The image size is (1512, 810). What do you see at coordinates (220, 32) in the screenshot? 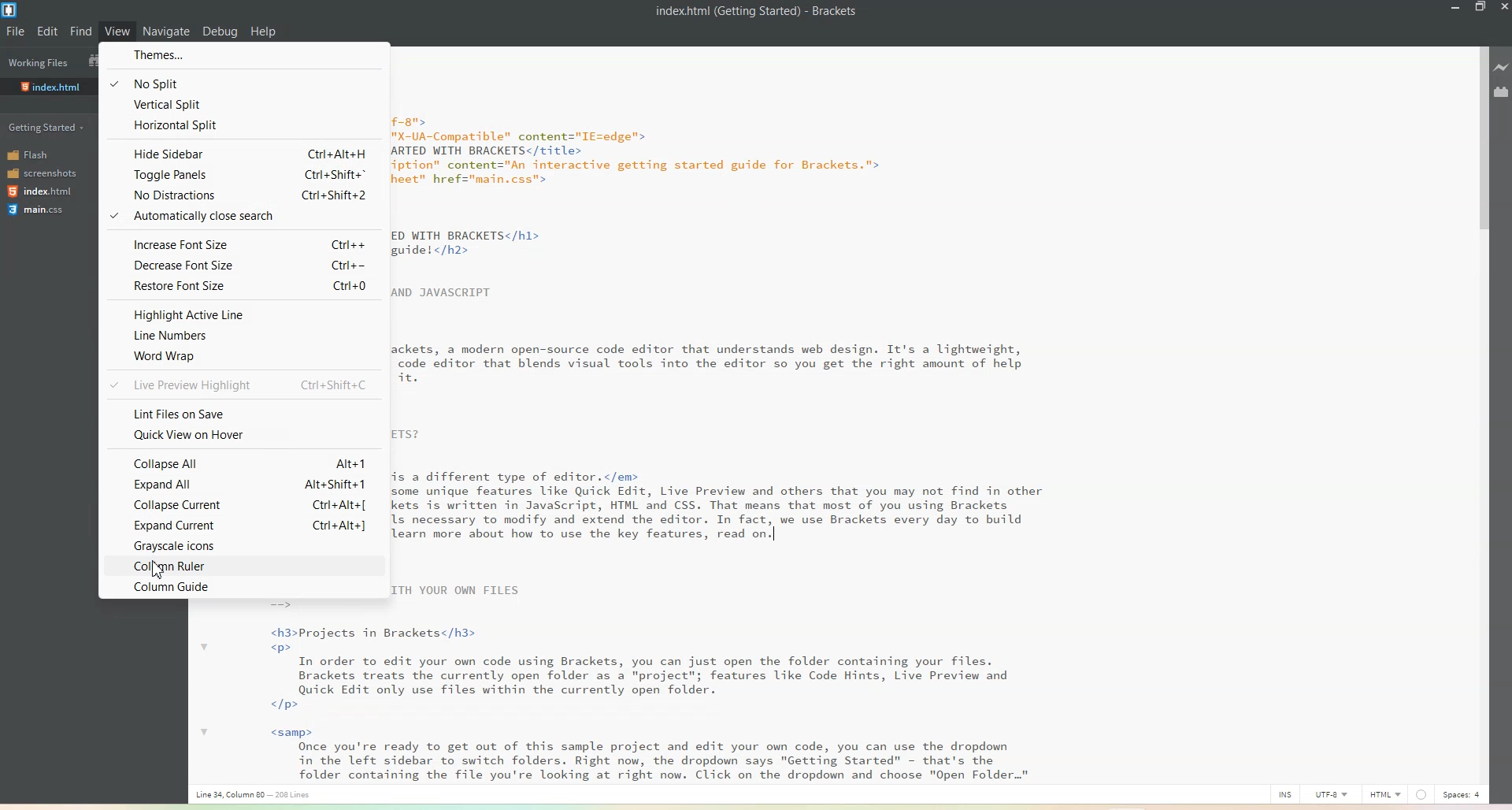
I see `Debug` at bounding box center [220, 32].